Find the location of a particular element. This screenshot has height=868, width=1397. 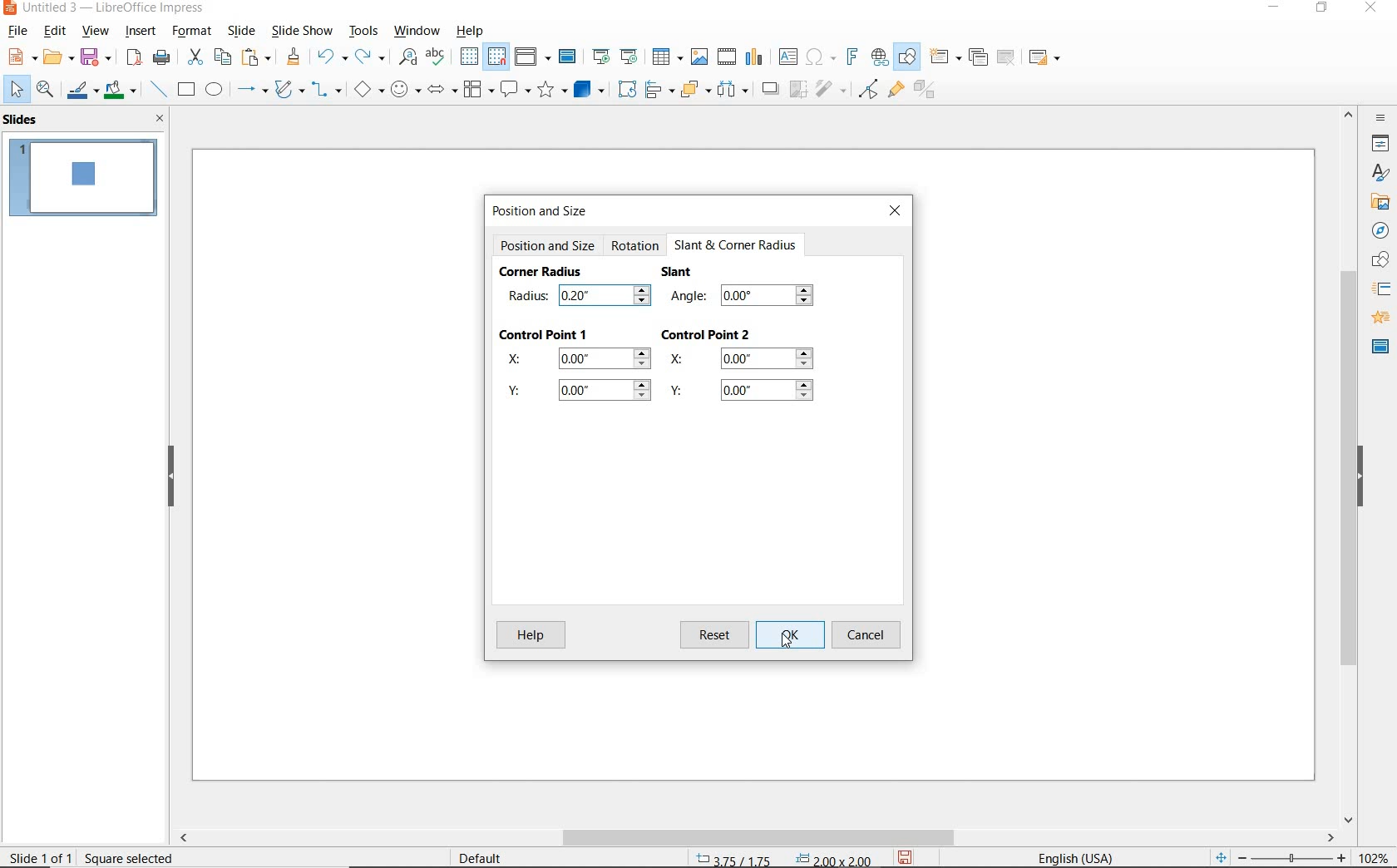

RESET is located at coordinates (714, 634).